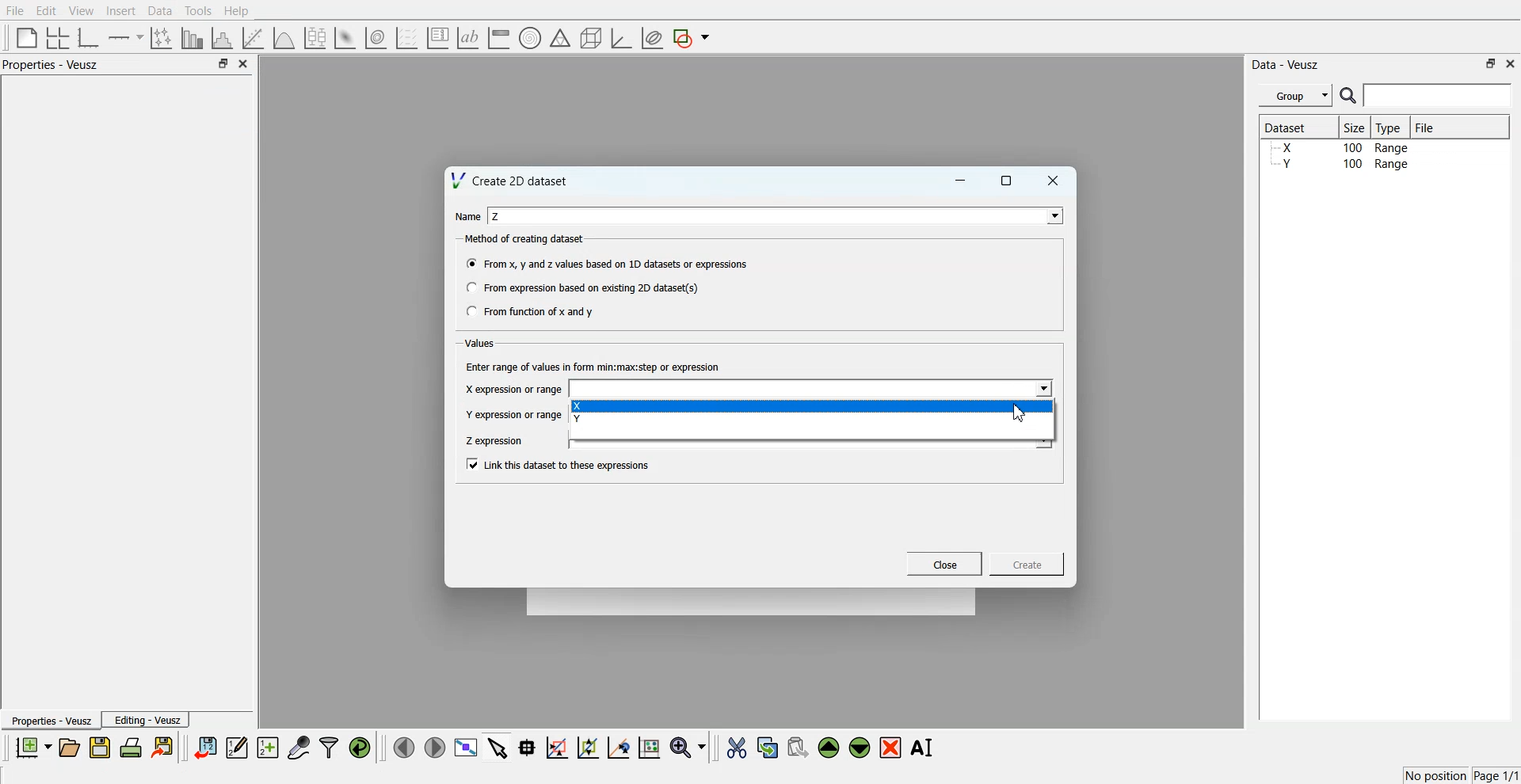  What do you see at coordinates (435, 746) in the screenshot?
I see `Move to the next page` at bounding box center [435, 746].